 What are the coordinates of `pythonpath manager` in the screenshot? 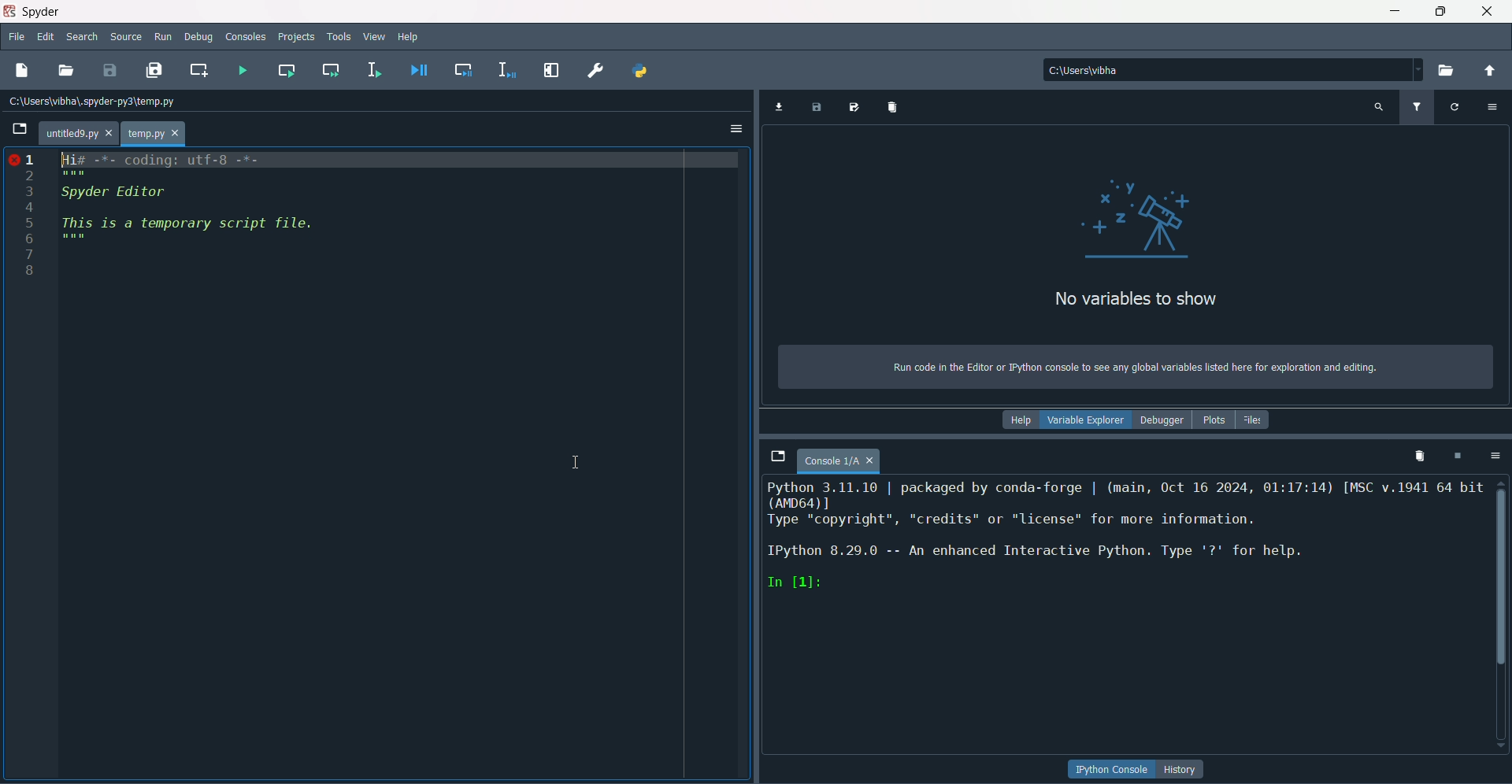 It's located at (642, 72).